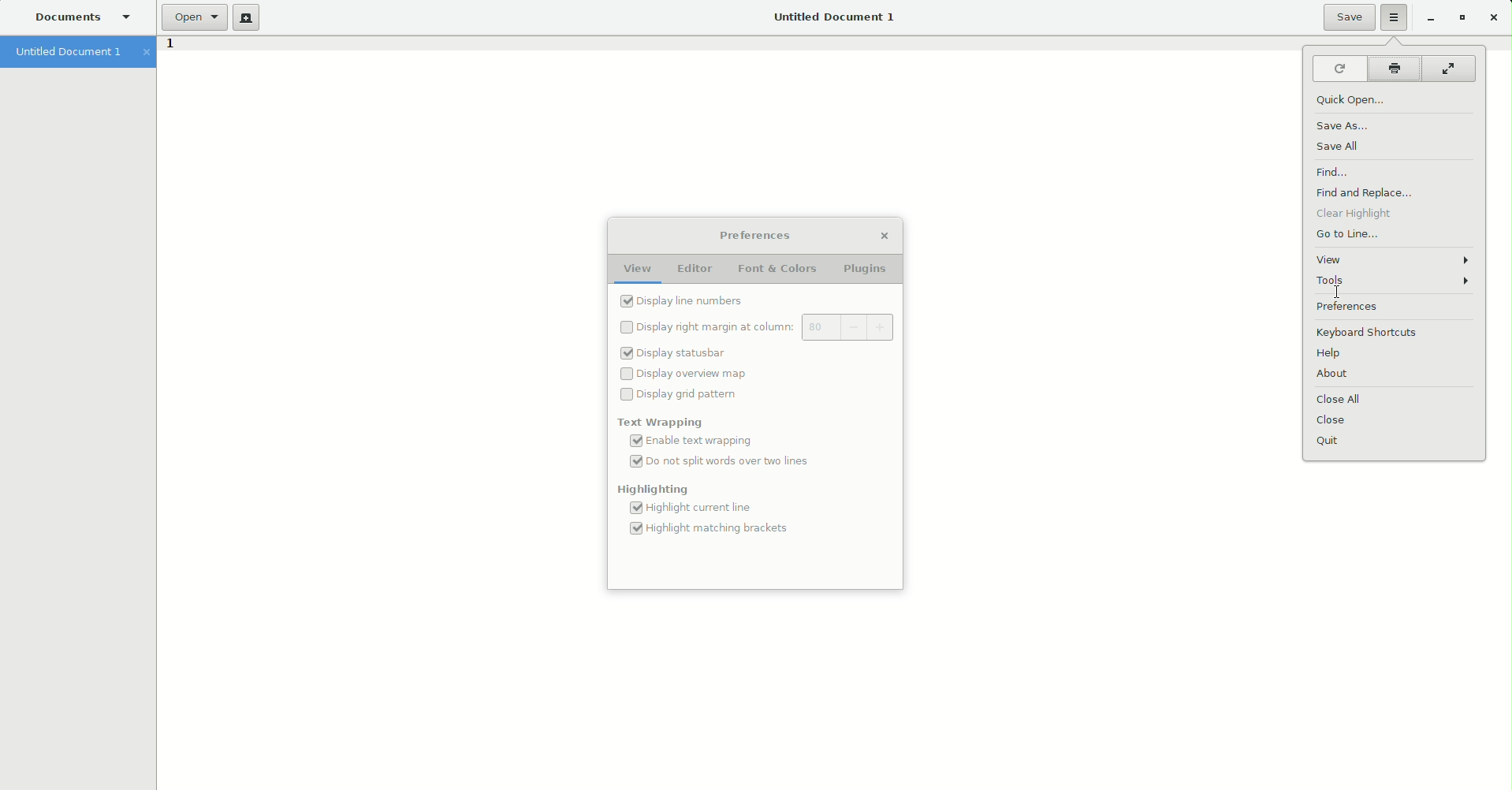 Image resolution: width=1512 pixels, height=790 pixels. What do you see at coordinates (1391, 69) in the screenshot?
I see `Print` at bounding box center [1391, 69].